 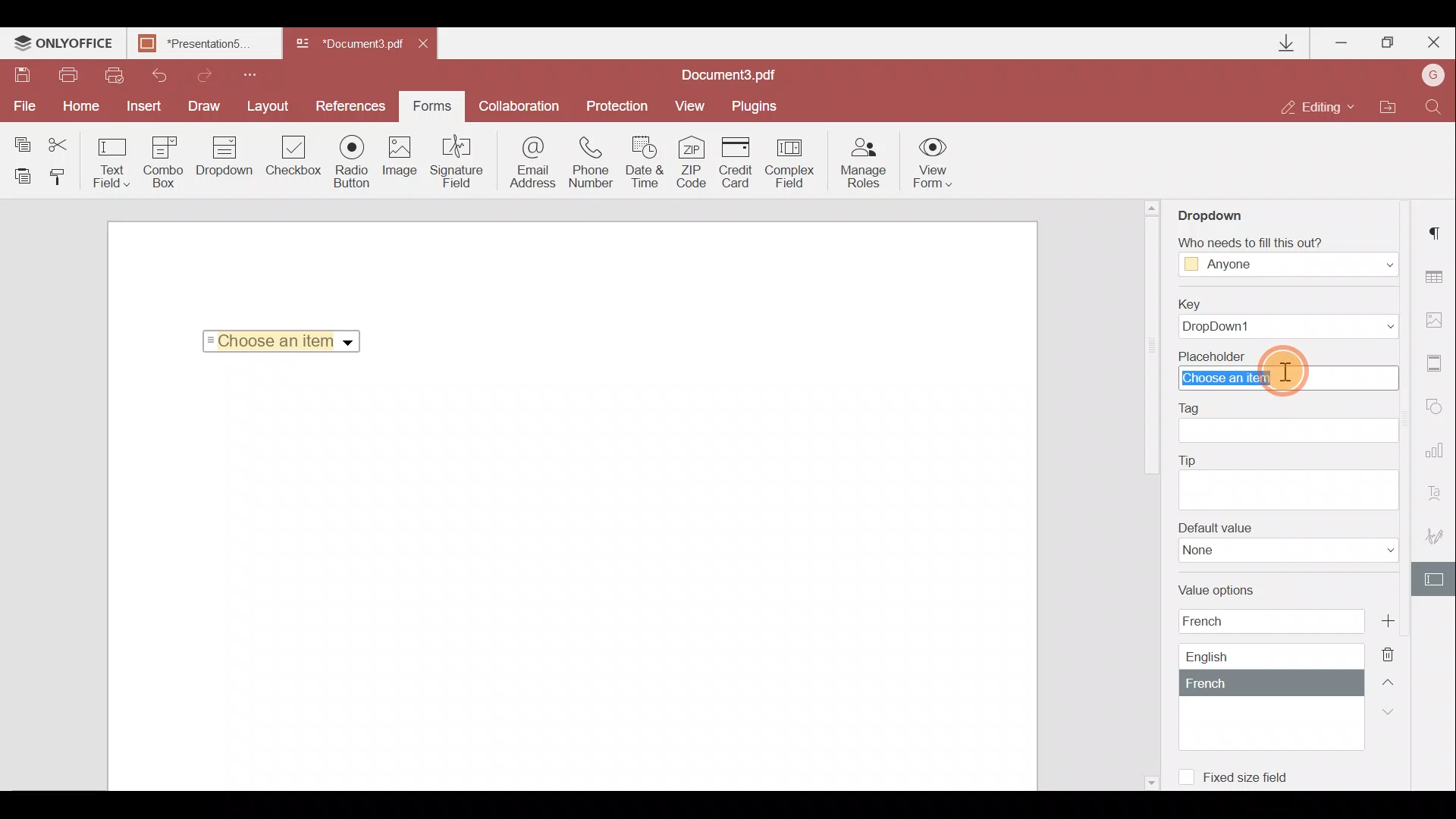 I want to click on Collaboration, so click(x=518, y=106).